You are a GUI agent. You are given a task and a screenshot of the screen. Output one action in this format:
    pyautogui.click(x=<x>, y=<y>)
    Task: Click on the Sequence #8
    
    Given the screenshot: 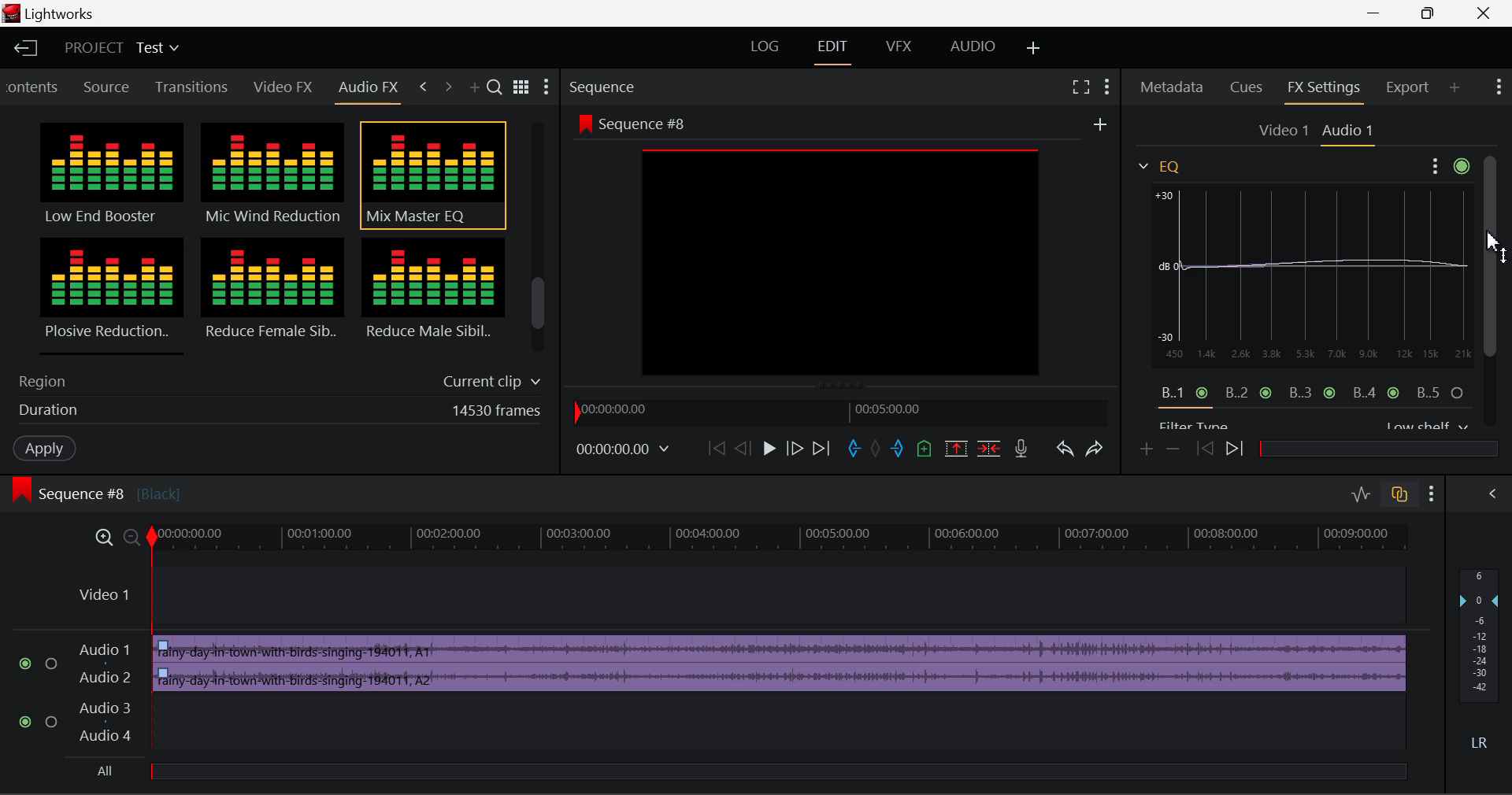 What is the action you would take?
    pyautogui.click(x=122, y=486)
    